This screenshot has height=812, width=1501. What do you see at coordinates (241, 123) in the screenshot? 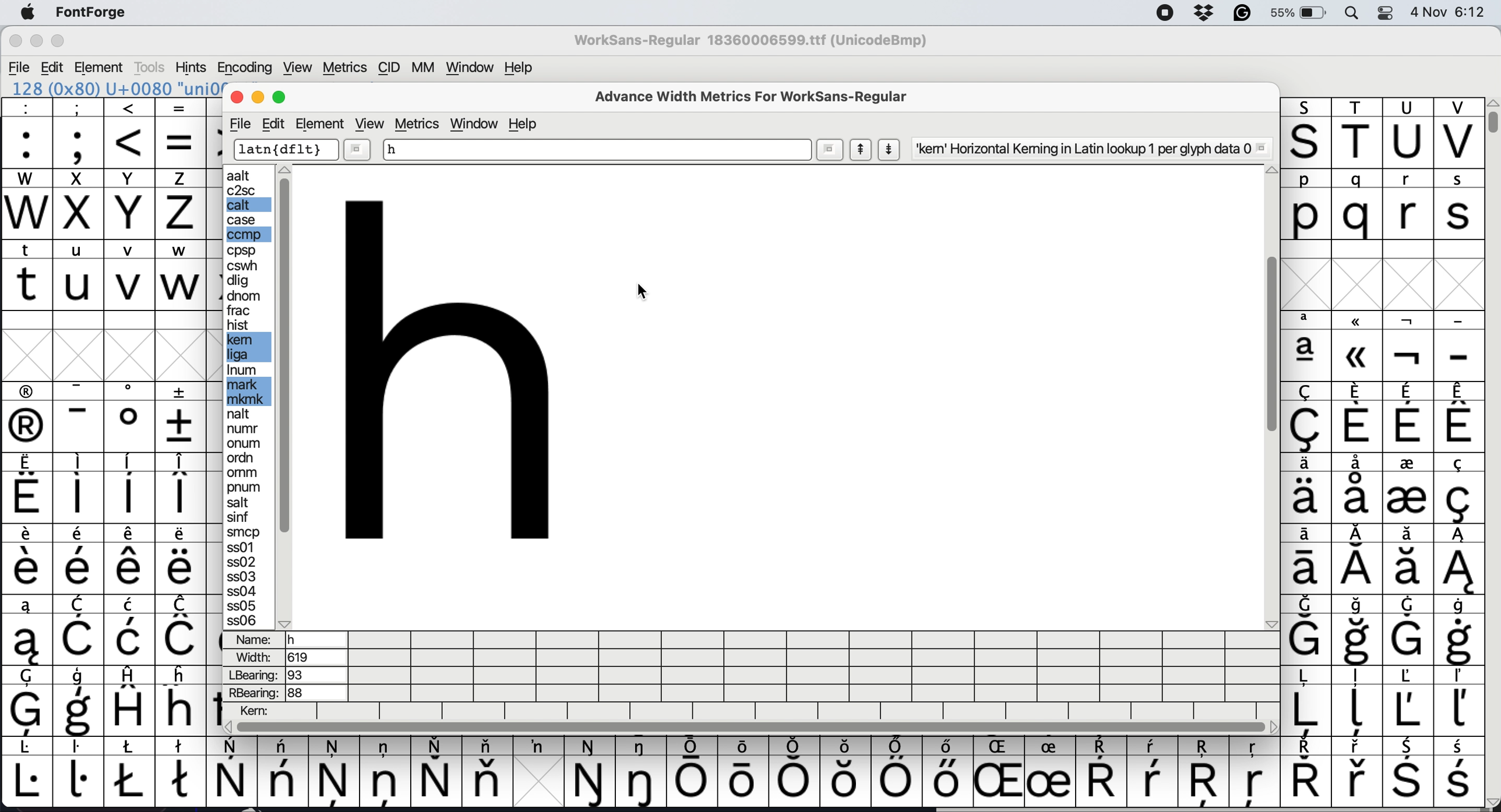
I see `file` at bounding box center [241, 123].